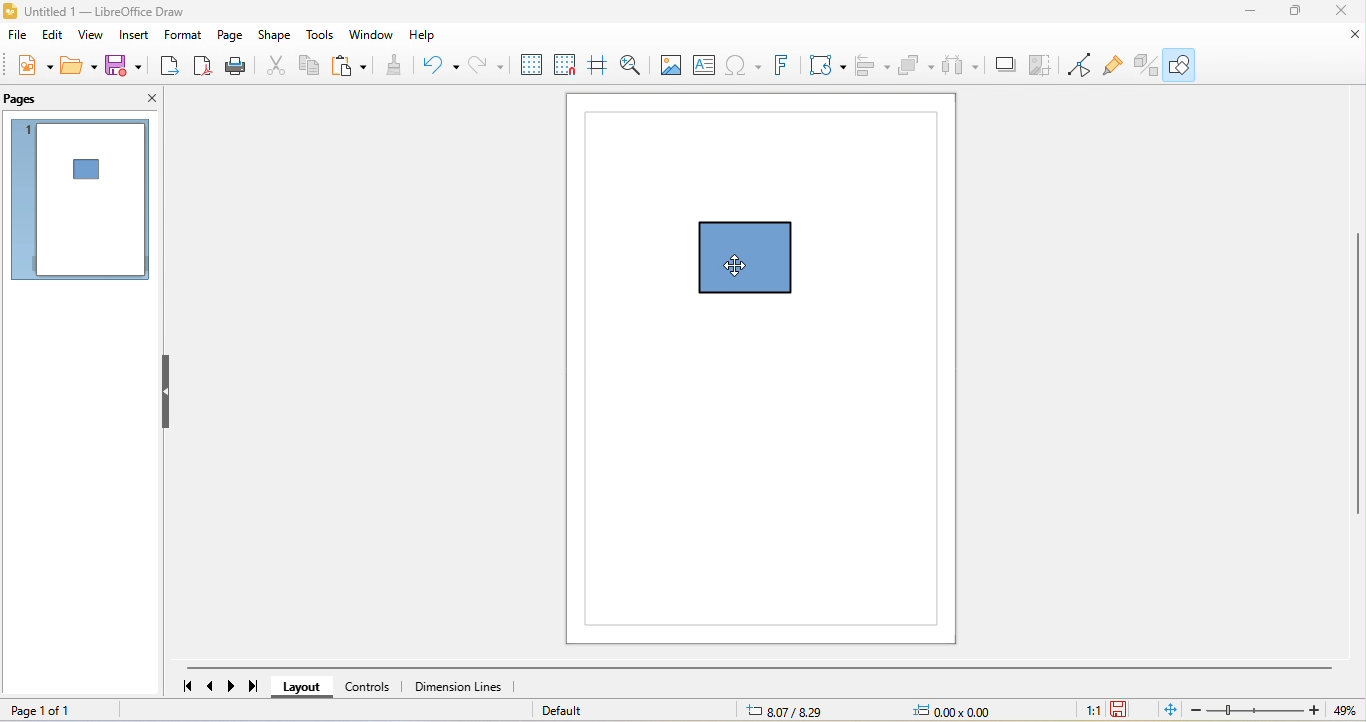 The height and width of the screenshot is (722, 1366). Describe the element at coordinates (172, 393) in the screenshot. I see `hide` at that location.